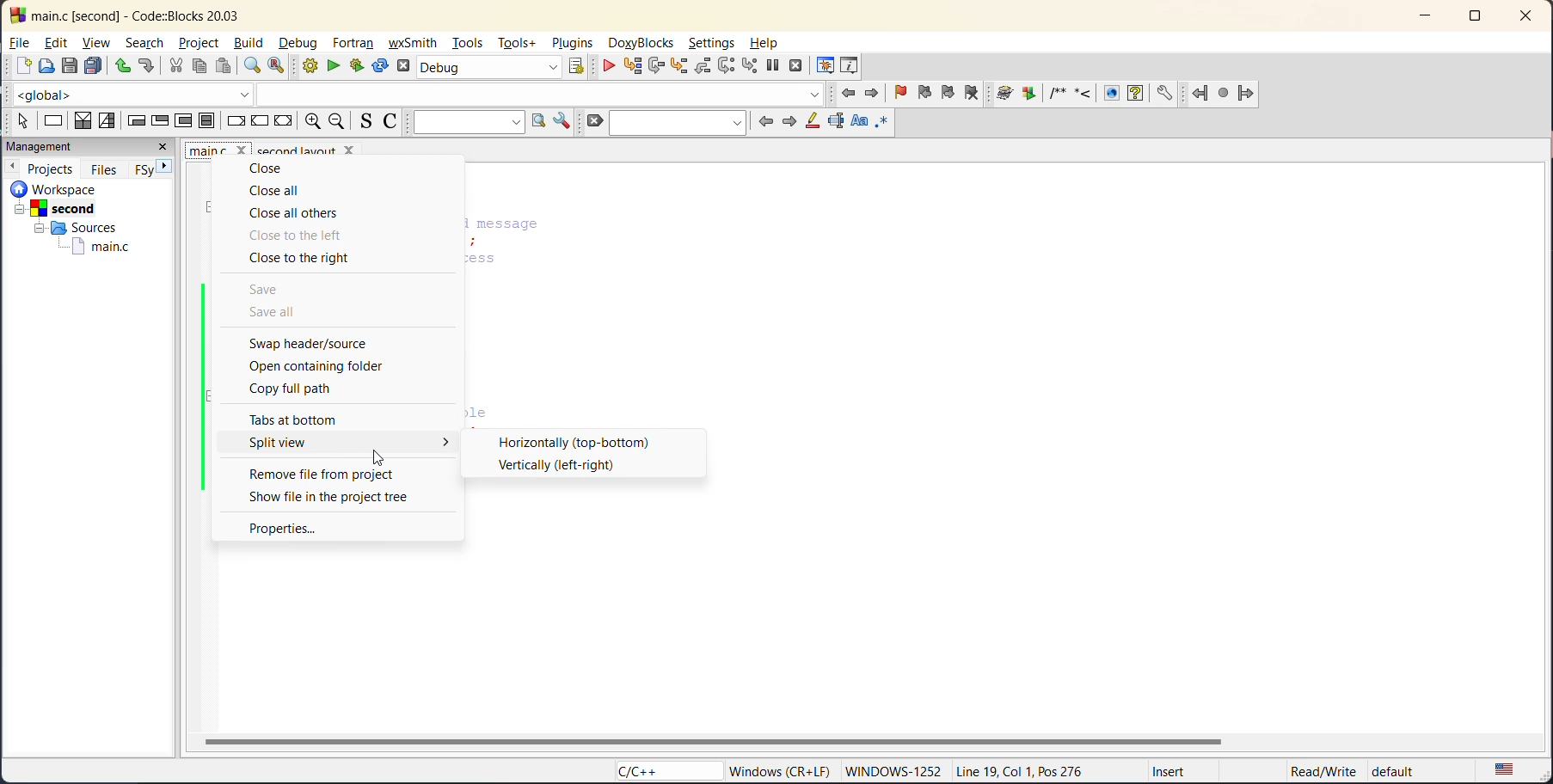  Describe the element at coordinates (185, 121) in the screenshot. I see `counting loop` at that location.